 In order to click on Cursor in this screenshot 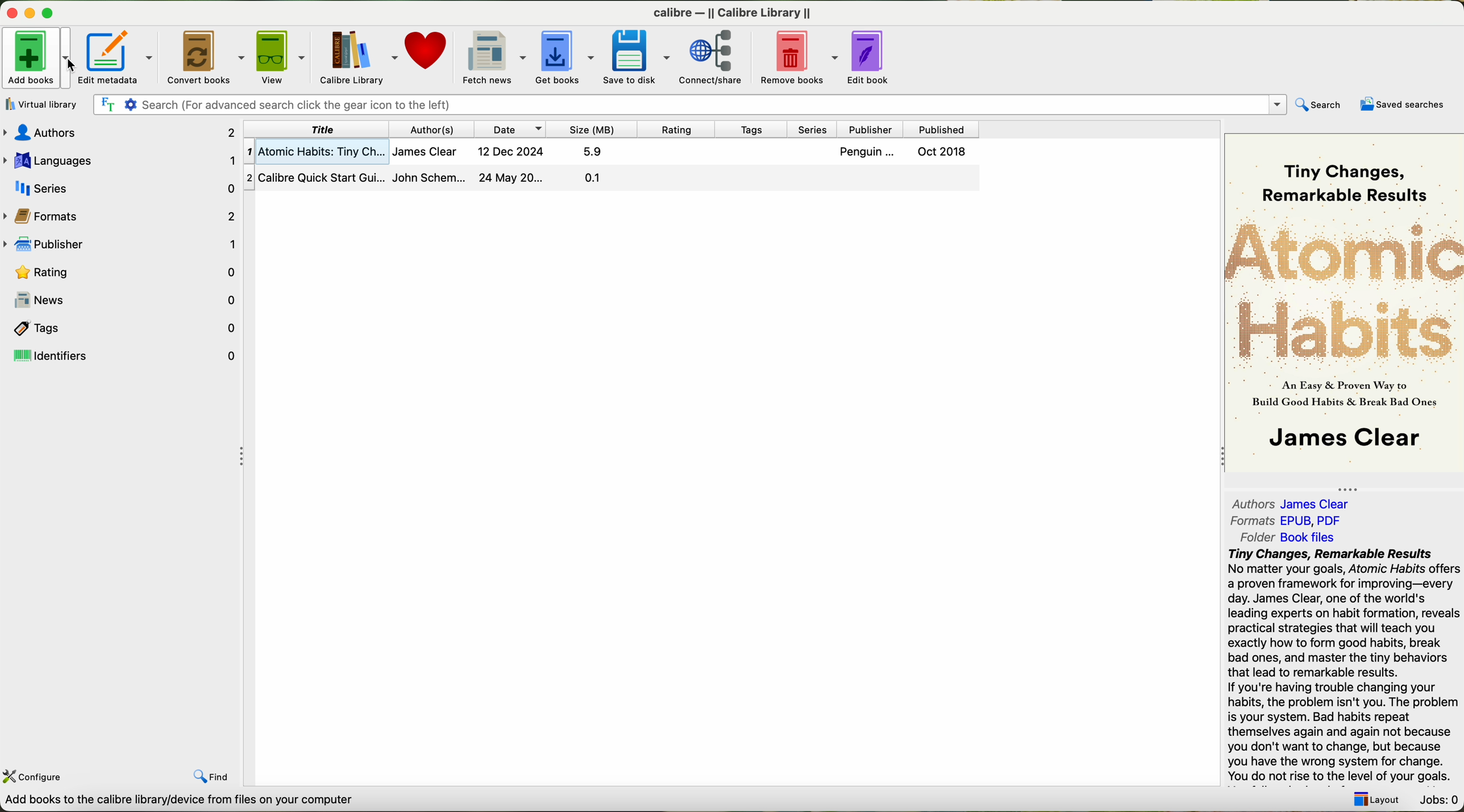, I will do `click(72, 64)`.